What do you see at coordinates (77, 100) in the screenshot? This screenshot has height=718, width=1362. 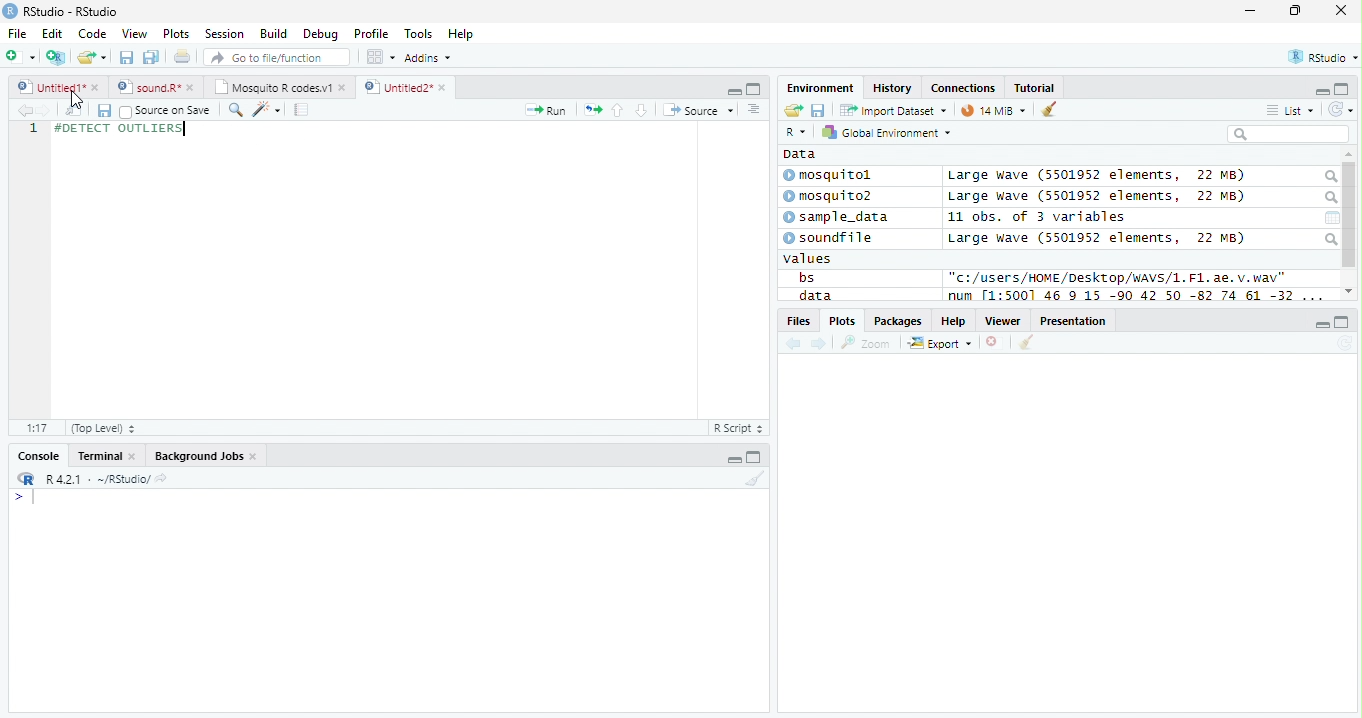 I see `cursor` at bounding box center [77, 100].